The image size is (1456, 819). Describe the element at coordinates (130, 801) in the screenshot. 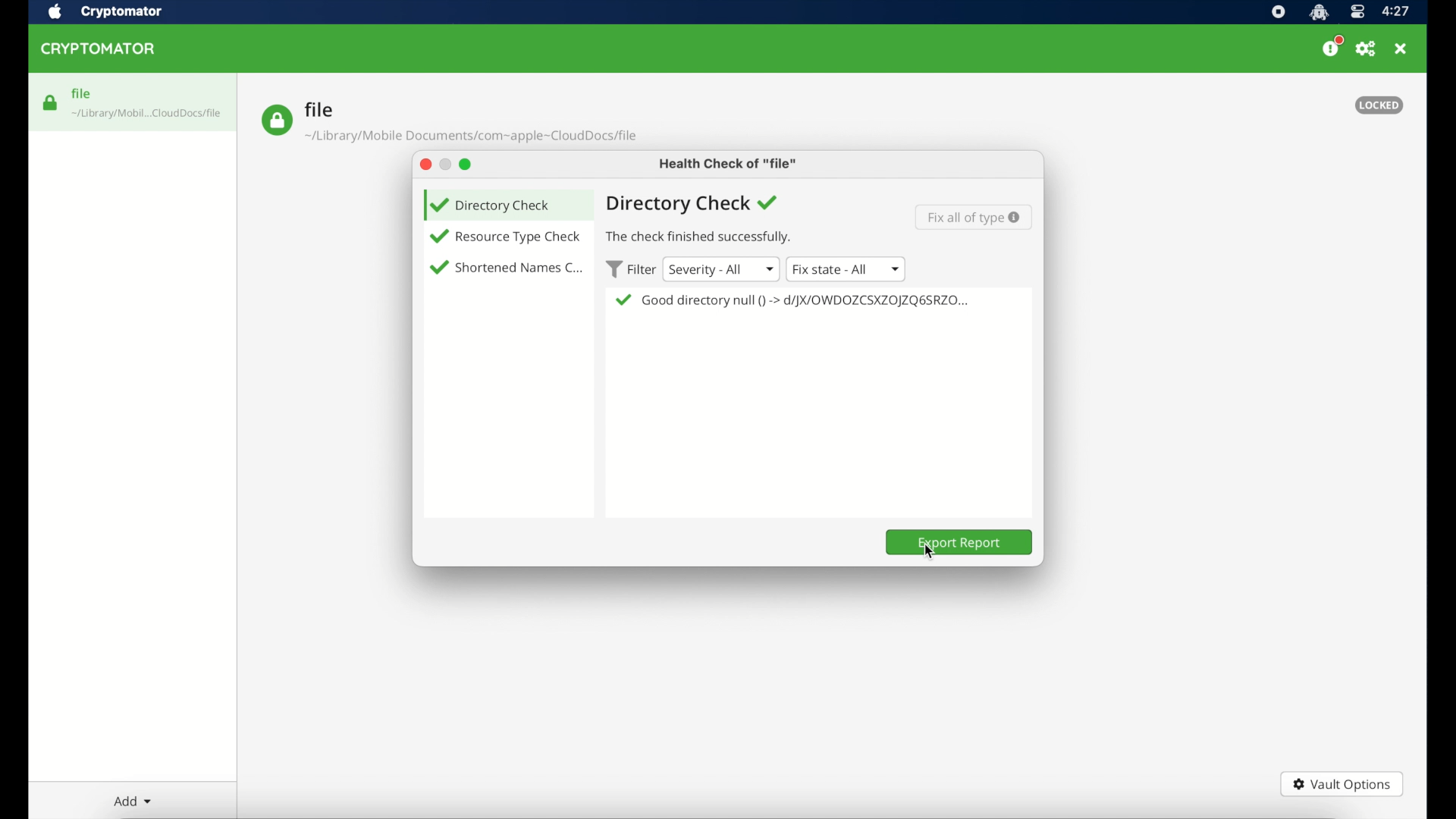

I see `add dropdown` at that location.